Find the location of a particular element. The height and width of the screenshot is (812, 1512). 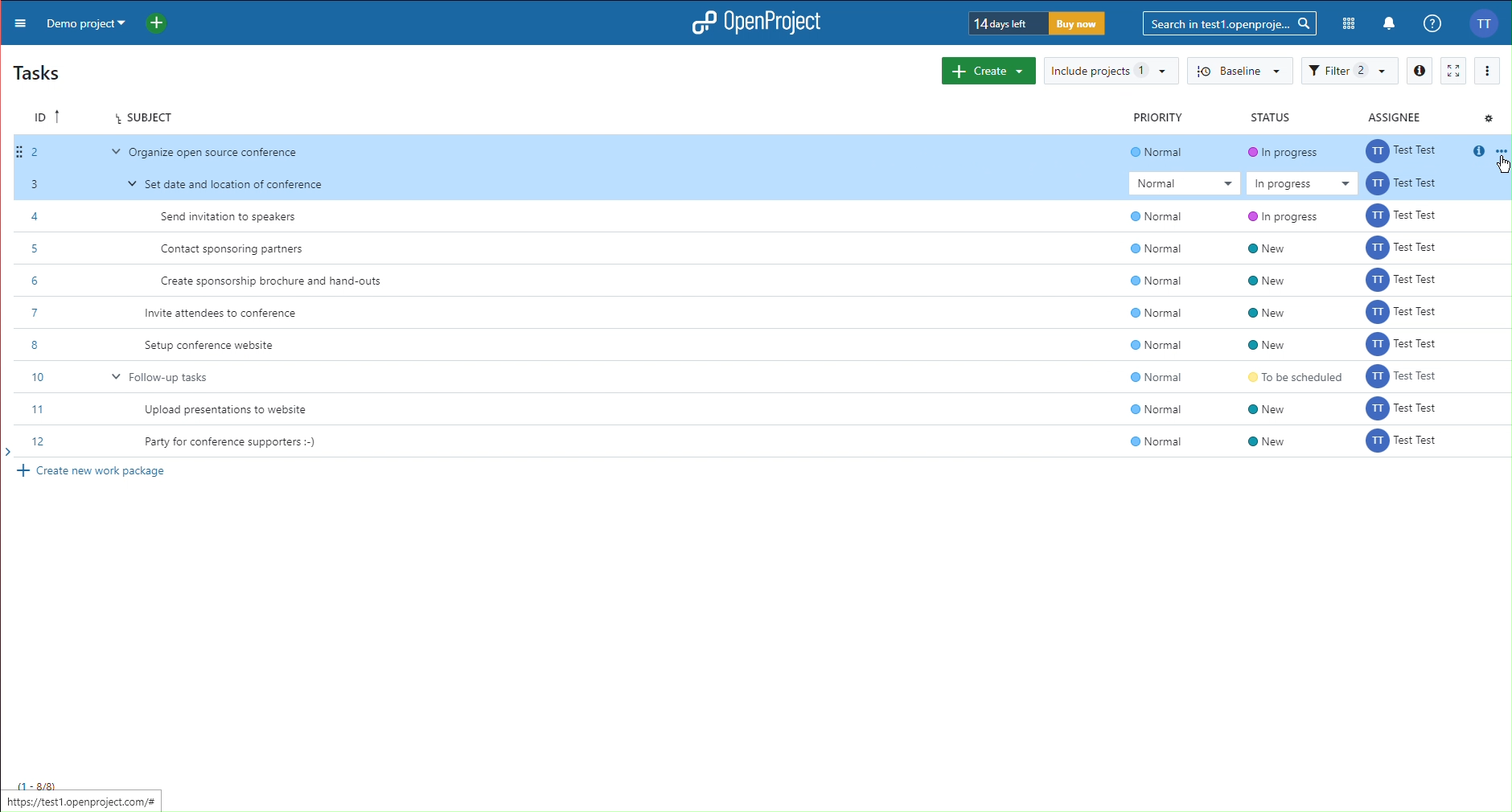

Priority is located at coordinates (1162, 117).